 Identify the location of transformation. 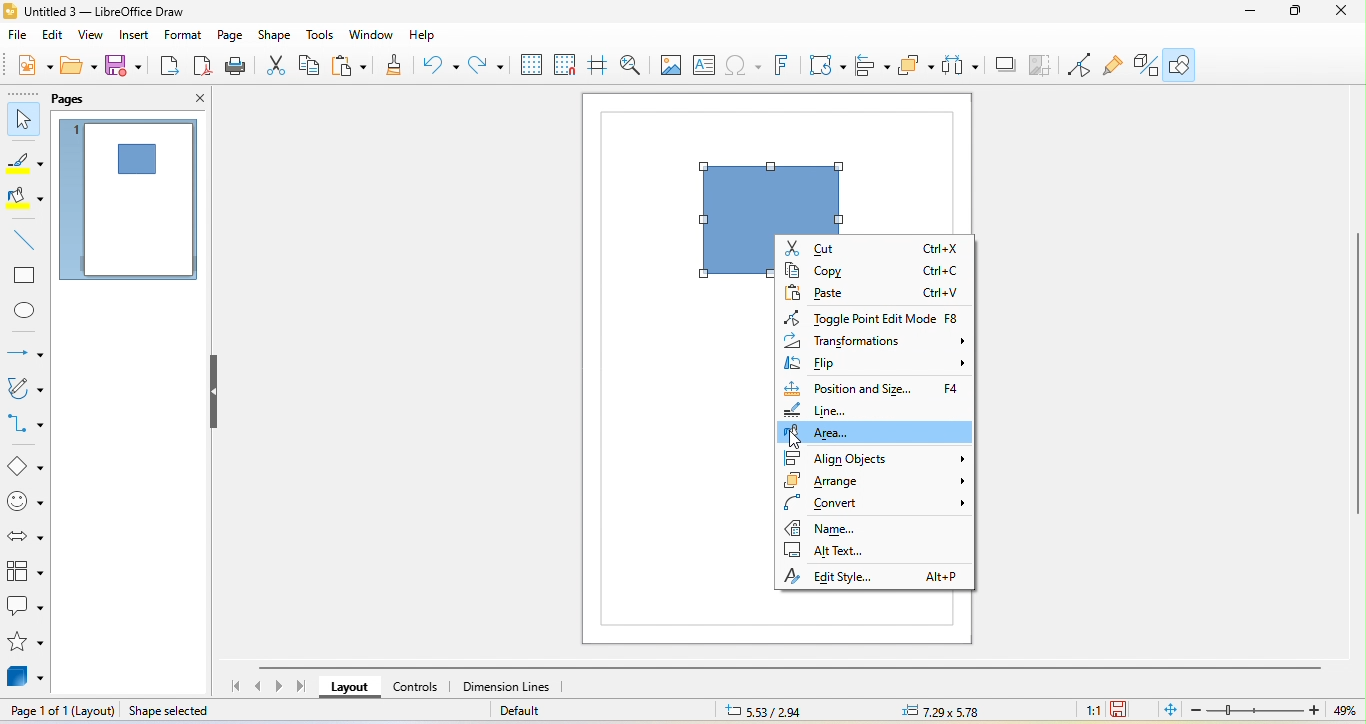
(829, 66).